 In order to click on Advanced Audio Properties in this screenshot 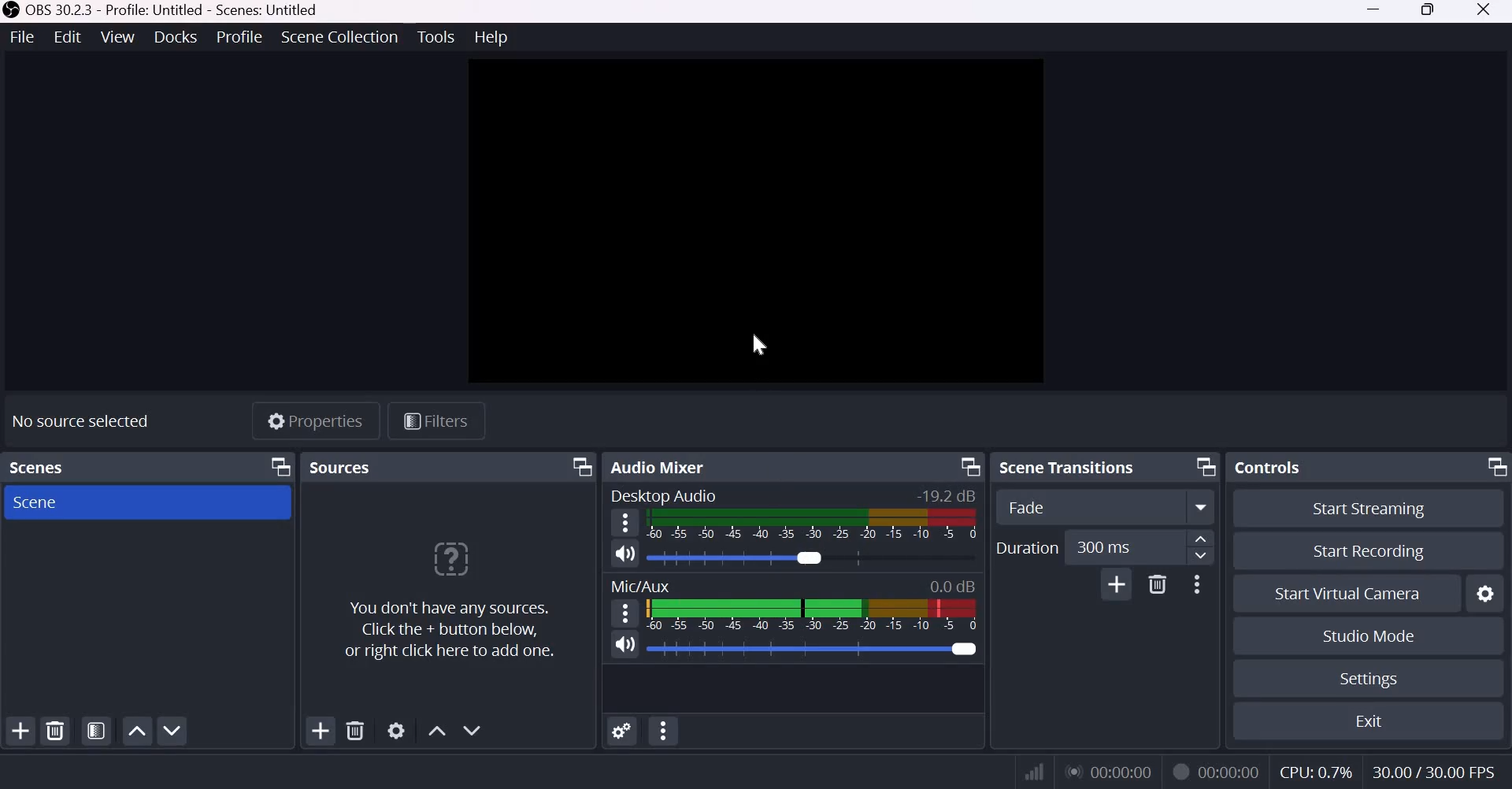, I will do `click(621, 732)`.